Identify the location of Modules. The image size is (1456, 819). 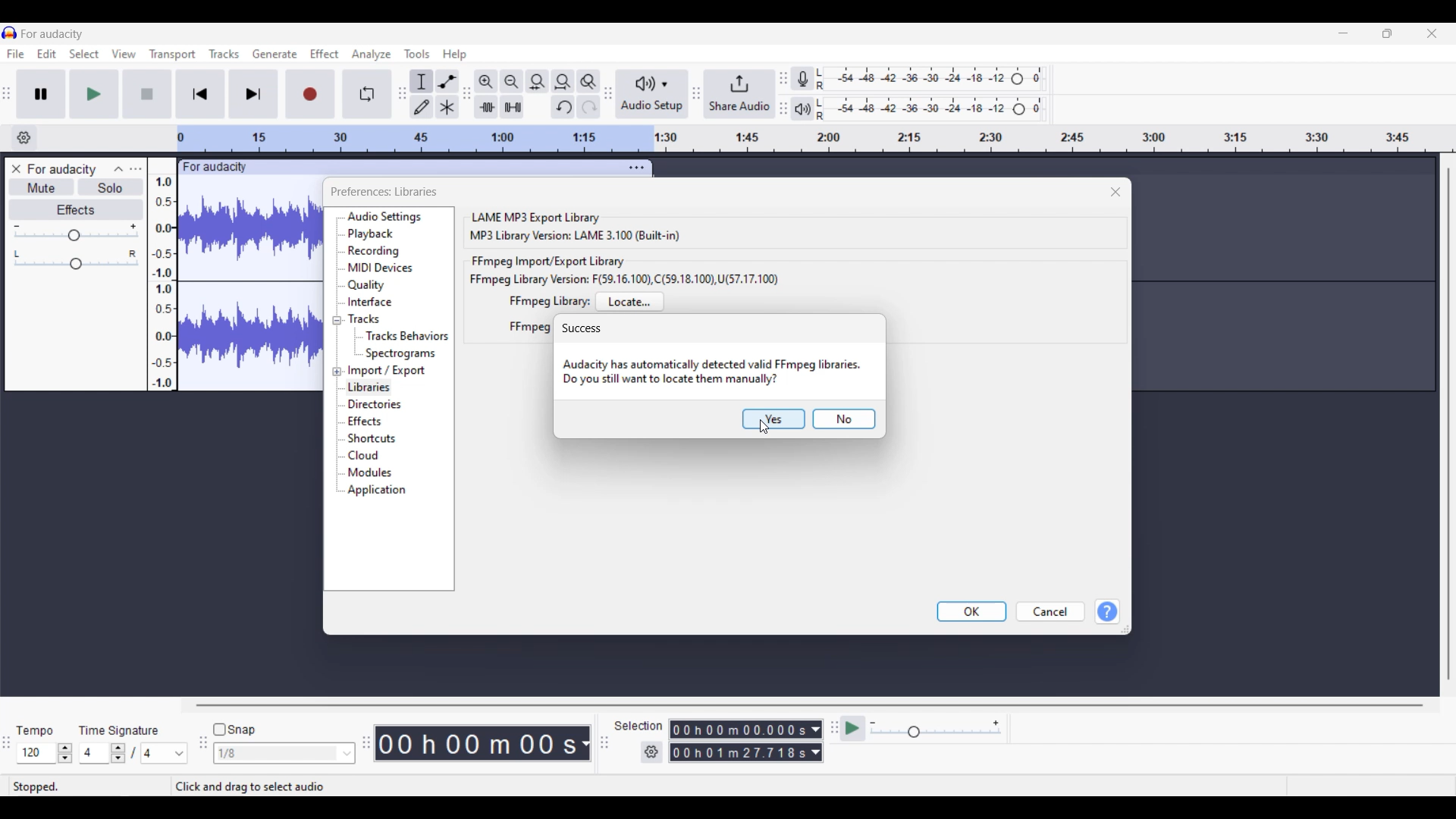
(373, 472).